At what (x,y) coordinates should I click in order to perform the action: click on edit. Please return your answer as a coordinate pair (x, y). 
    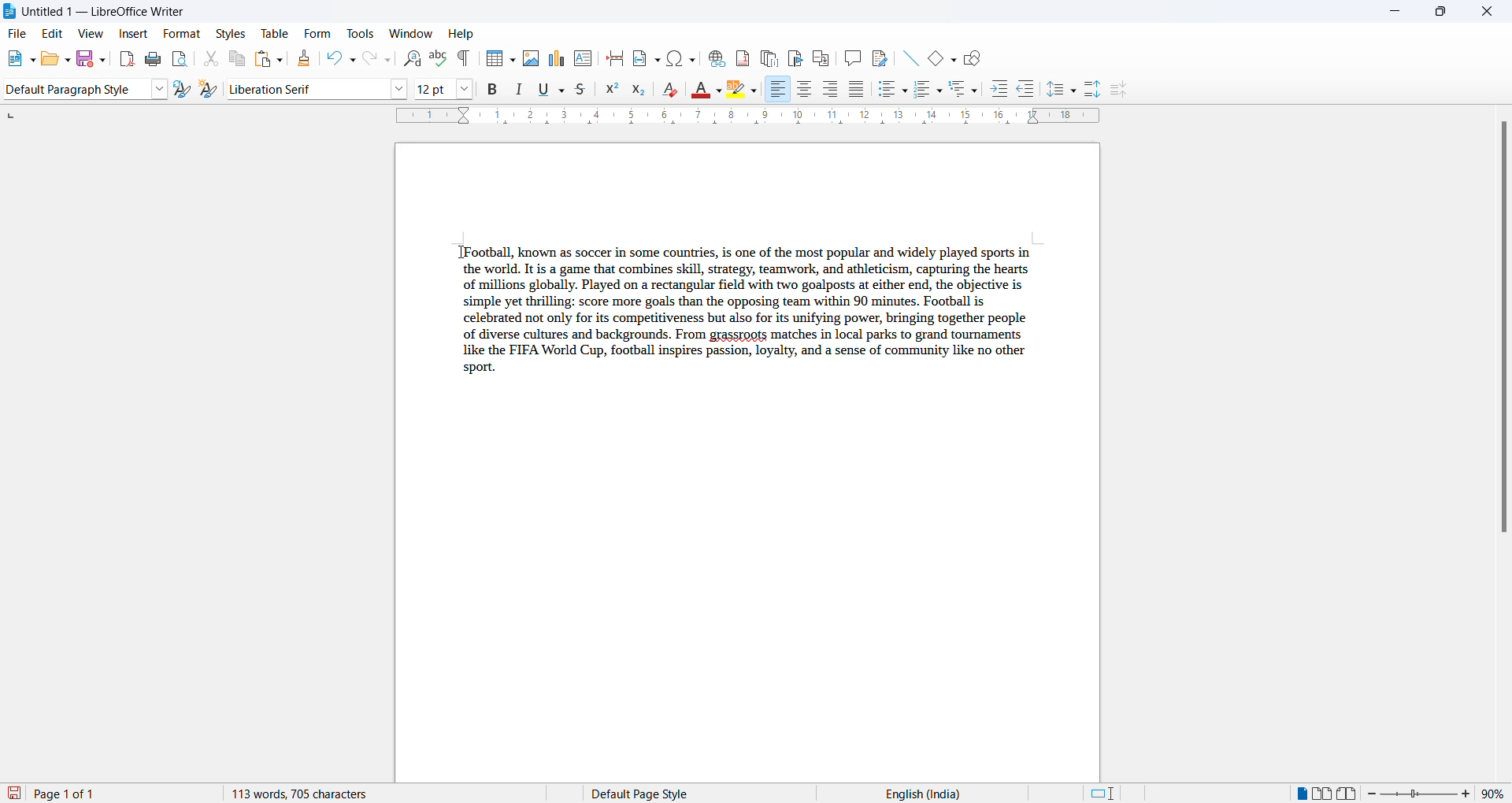
    Looking at the image, I should click on (54, 34).